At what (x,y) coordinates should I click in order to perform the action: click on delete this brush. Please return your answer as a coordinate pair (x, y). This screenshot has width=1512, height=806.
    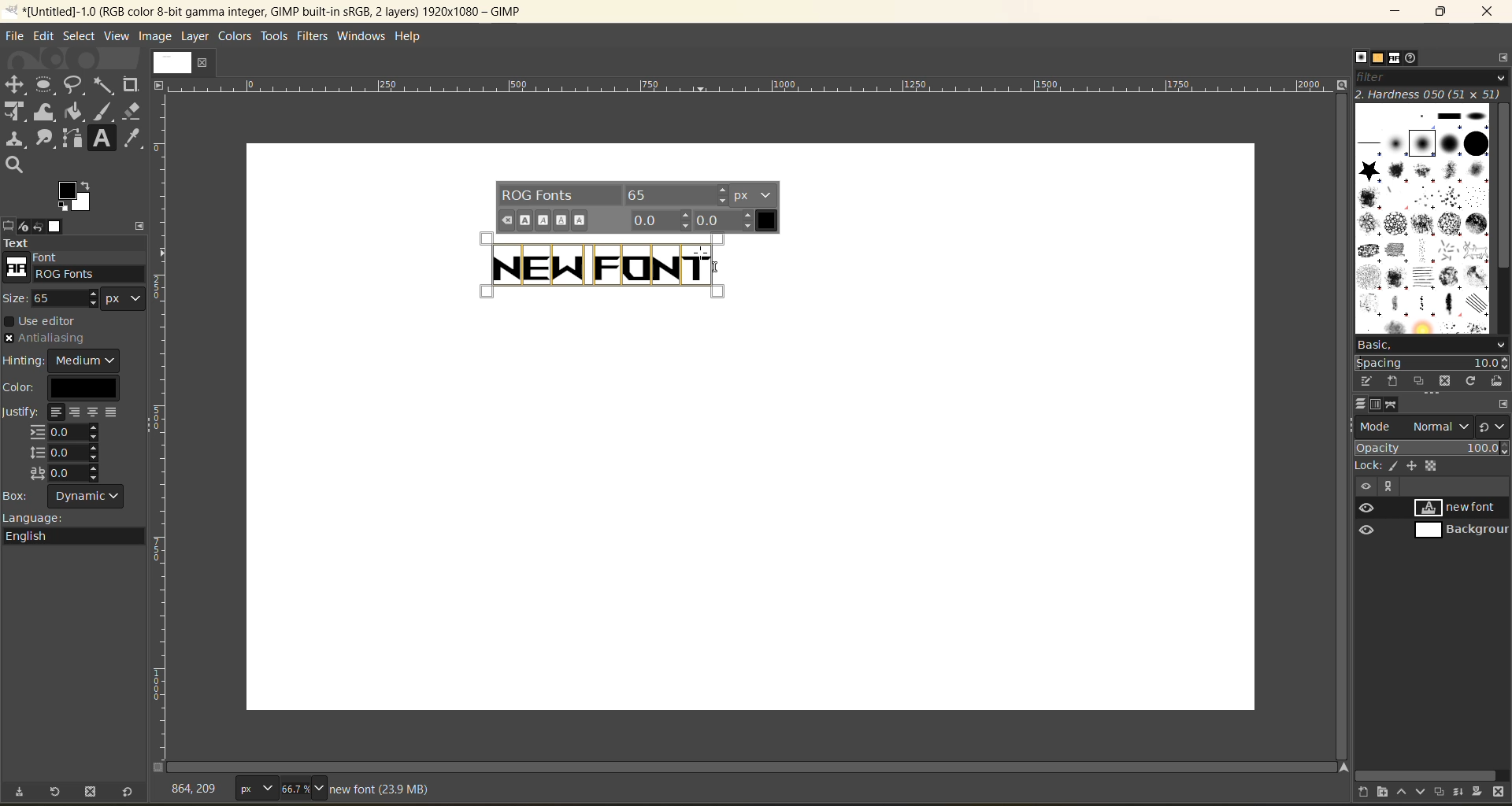
    Looking at the image, I should click on (1448, 379).